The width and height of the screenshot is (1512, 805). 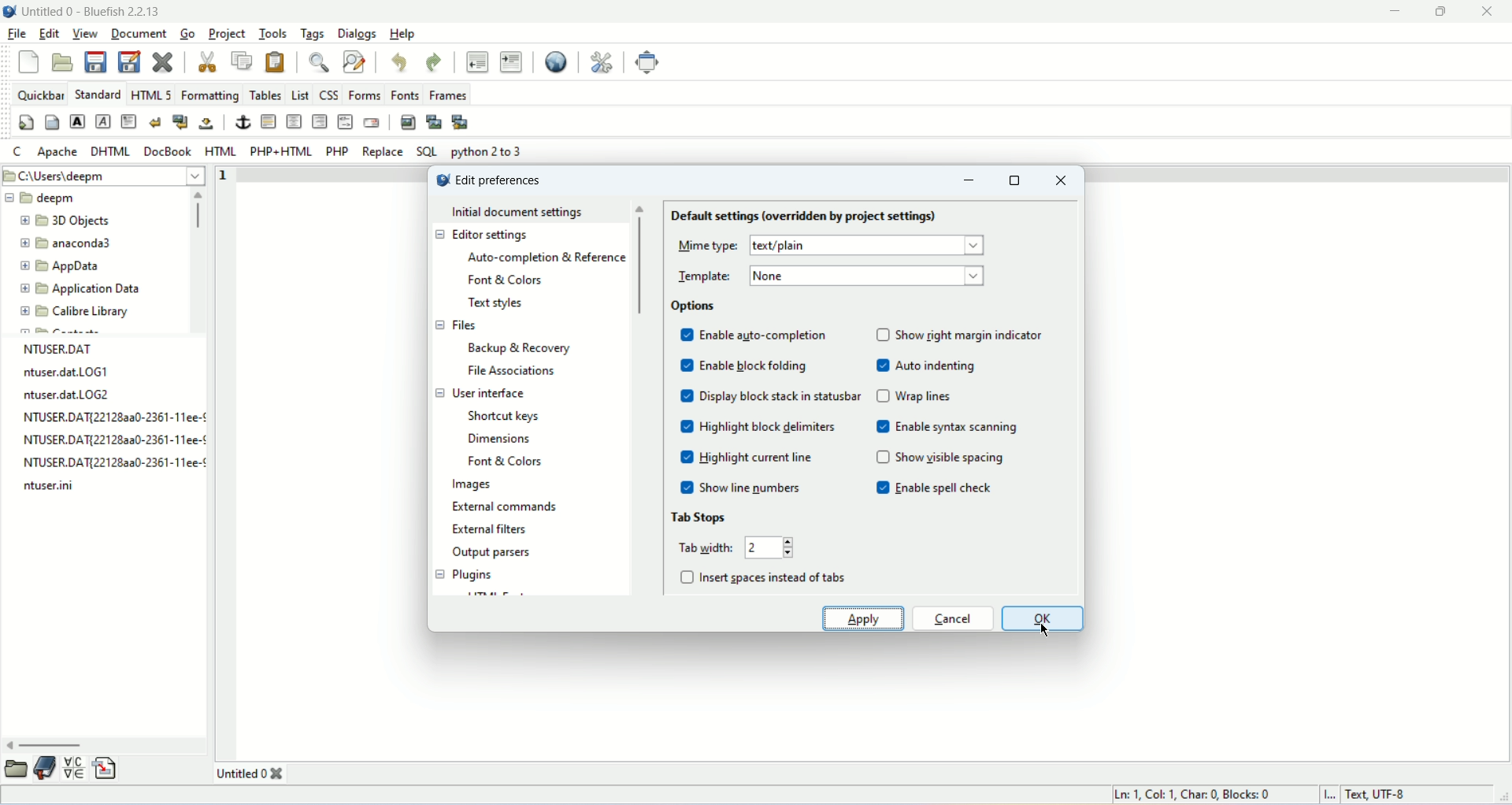 What do you see at coordinates (345, 121) in the screenshot?
I see `HTML comment` at bounding box center [345, 121].